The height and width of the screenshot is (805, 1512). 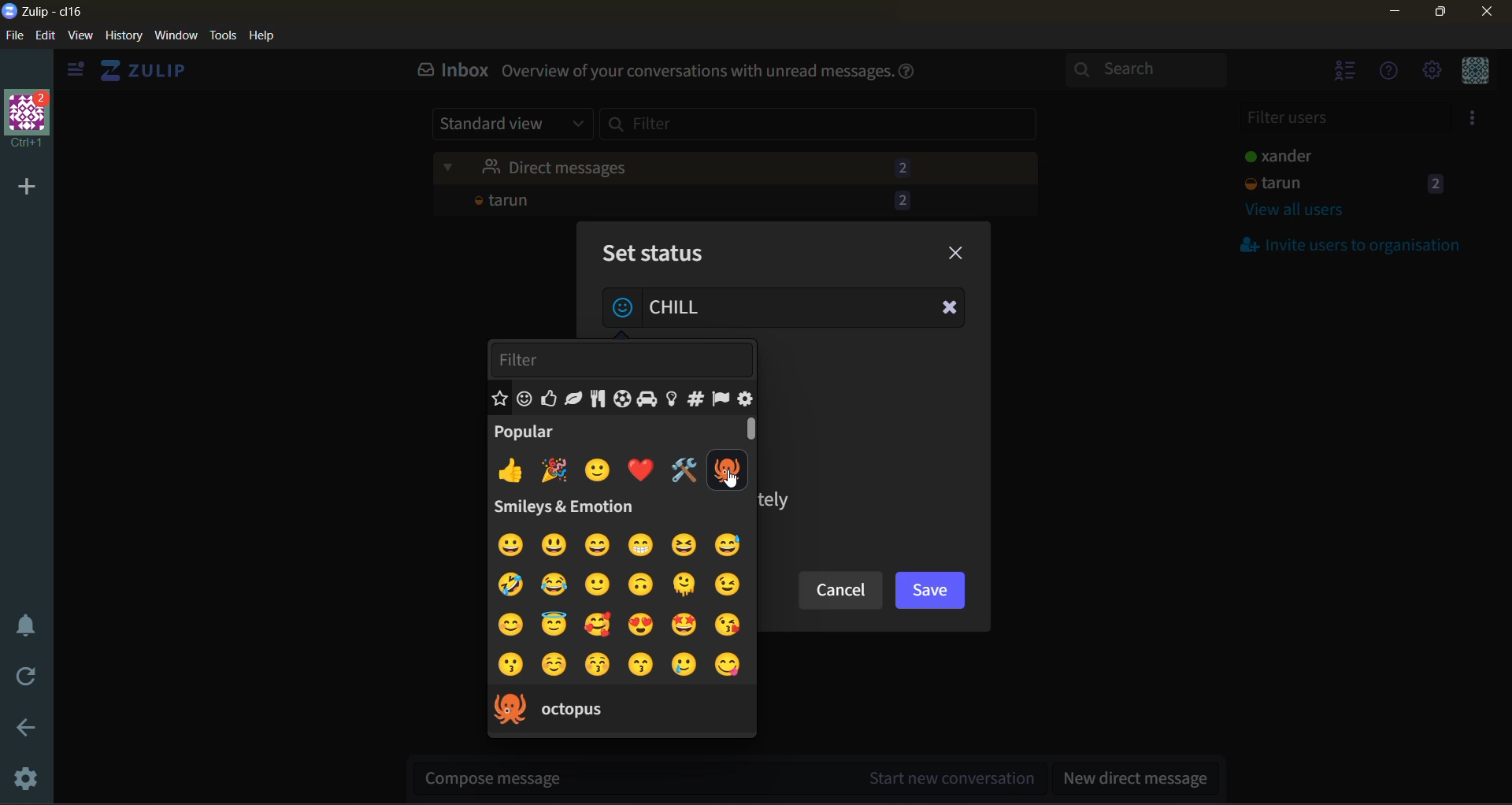 What do you see at coordinates (696, 73) in the screenshot?
I see `Overview of your conversations with unread messages.` at bounding box center [696, 73].